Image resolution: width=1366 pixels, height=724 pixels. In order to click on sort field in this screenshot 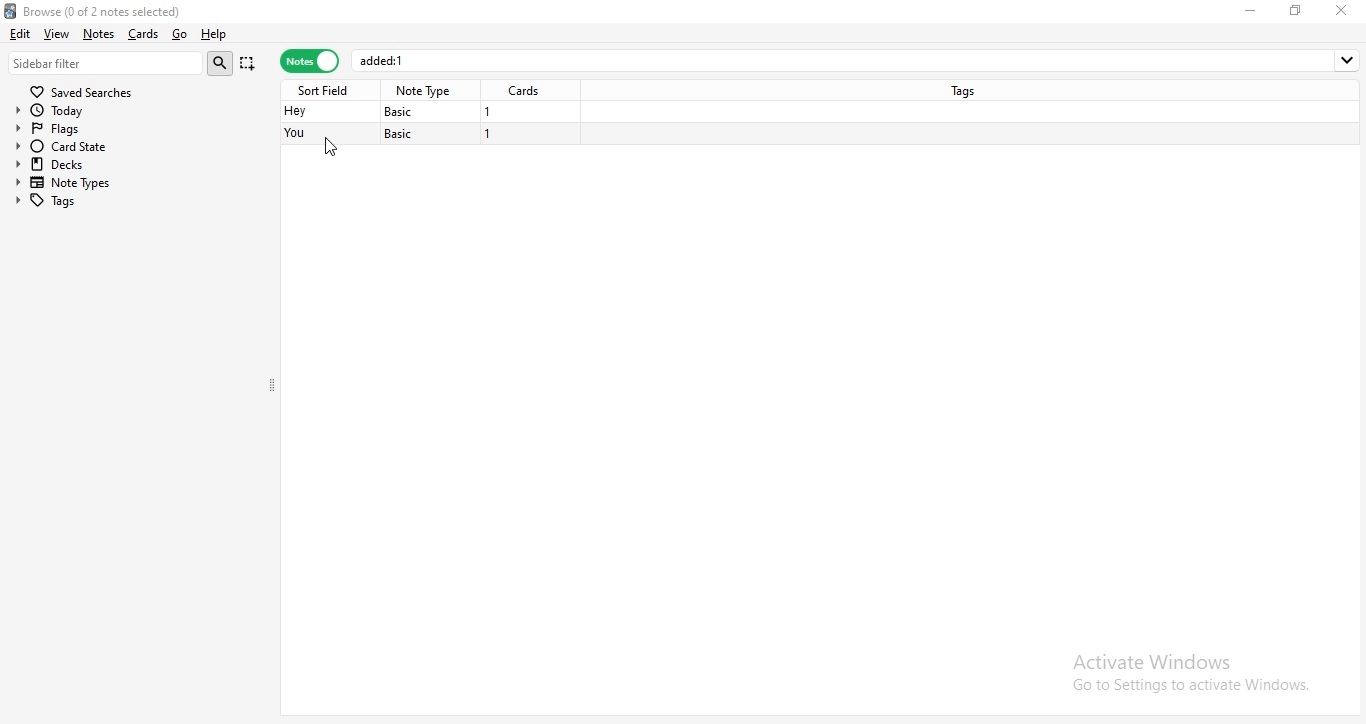, I will do `click(327, 89)`.